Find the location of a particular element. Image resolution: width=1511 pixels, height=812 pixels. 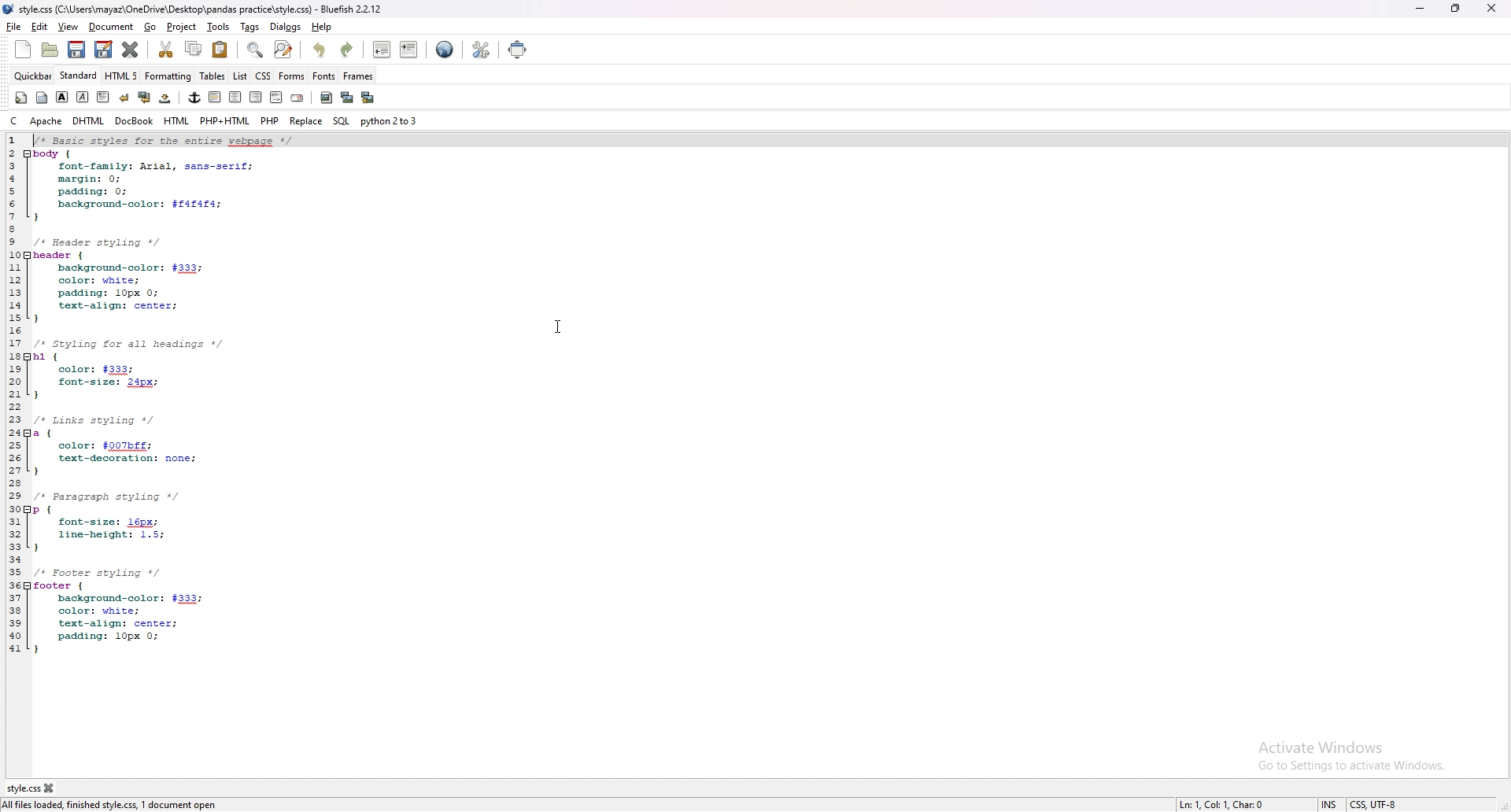

anchor is located at coordinates (194, 98).